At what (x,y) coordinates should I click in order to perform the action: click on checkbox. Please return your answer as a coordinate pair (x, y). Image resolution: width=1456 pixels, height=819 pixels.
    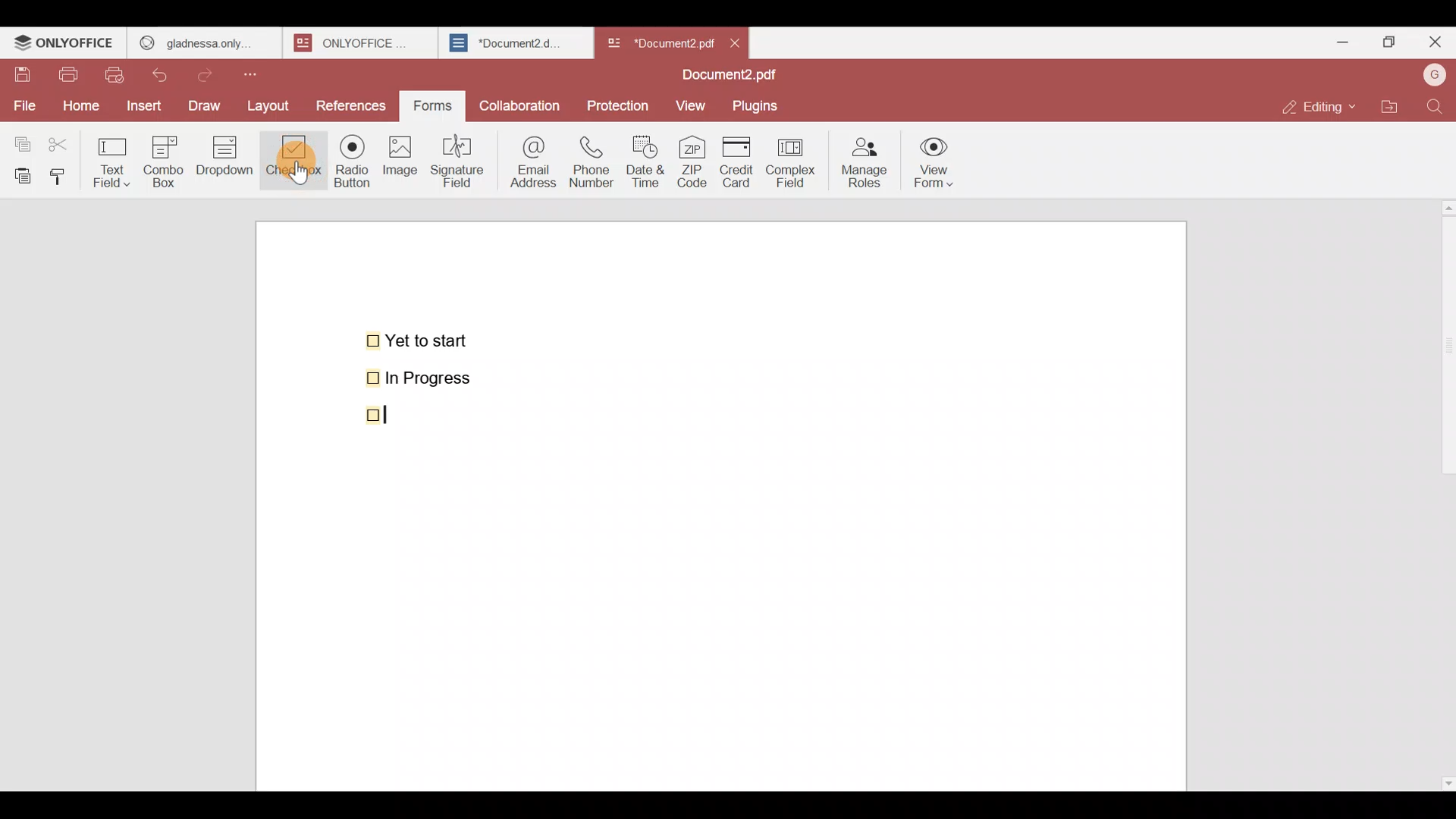
    Looking at the image, I should click on (375, 416).